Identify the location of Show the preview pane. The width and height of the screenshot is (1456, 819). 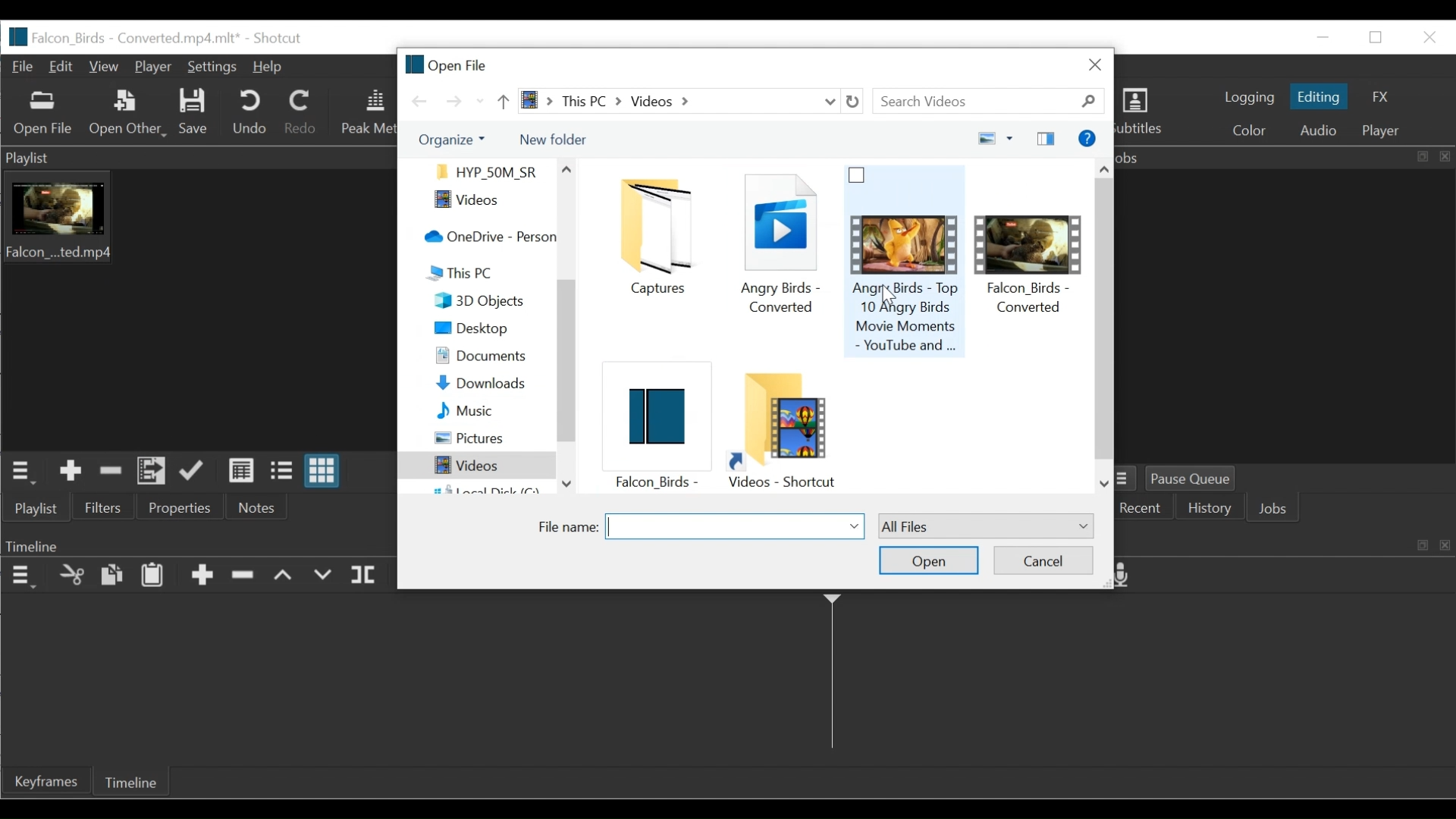
(1048, 138).